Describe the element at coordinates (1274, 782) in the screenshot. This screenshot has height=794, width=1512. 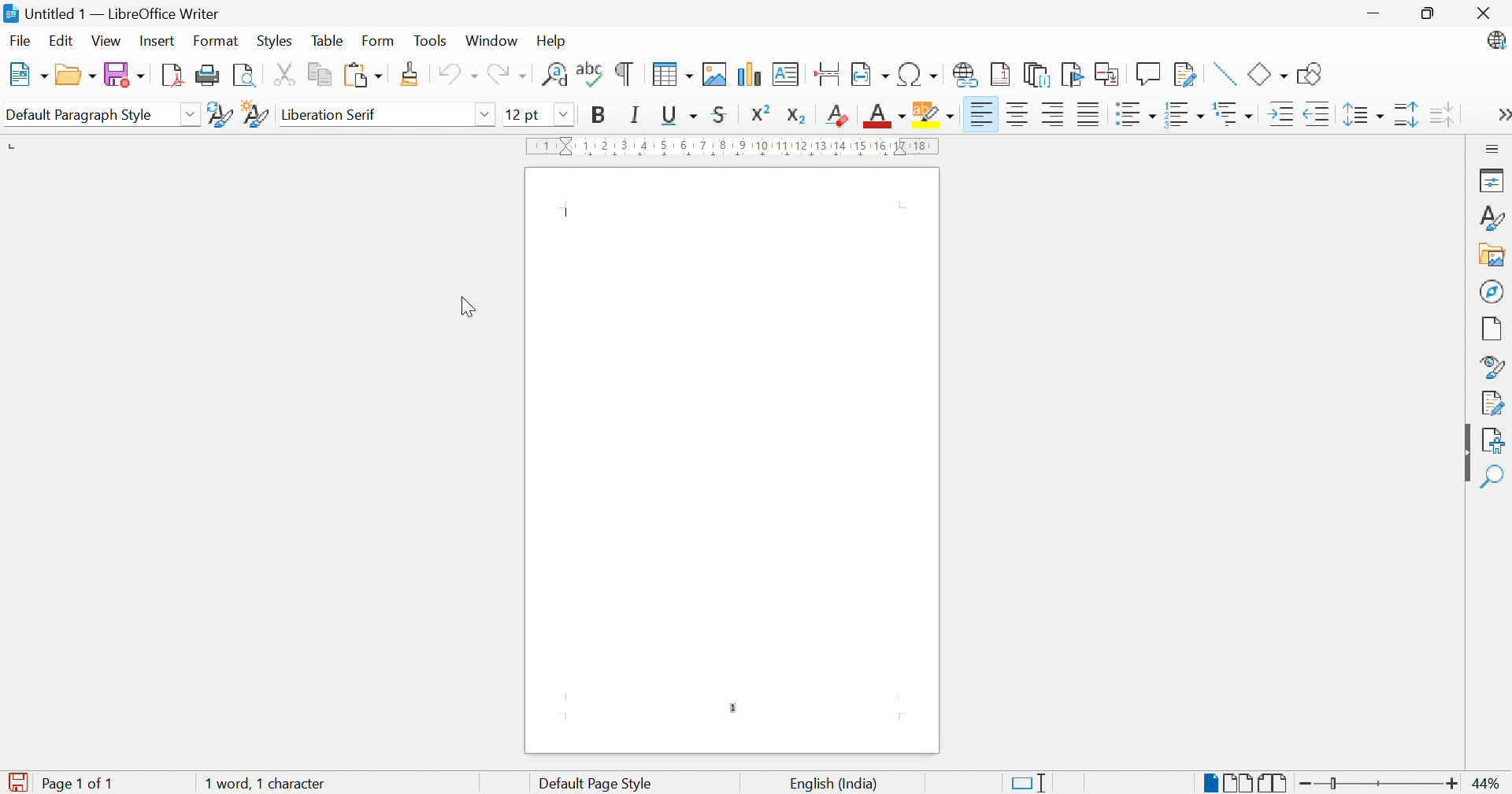
I see `Book view` at that location.